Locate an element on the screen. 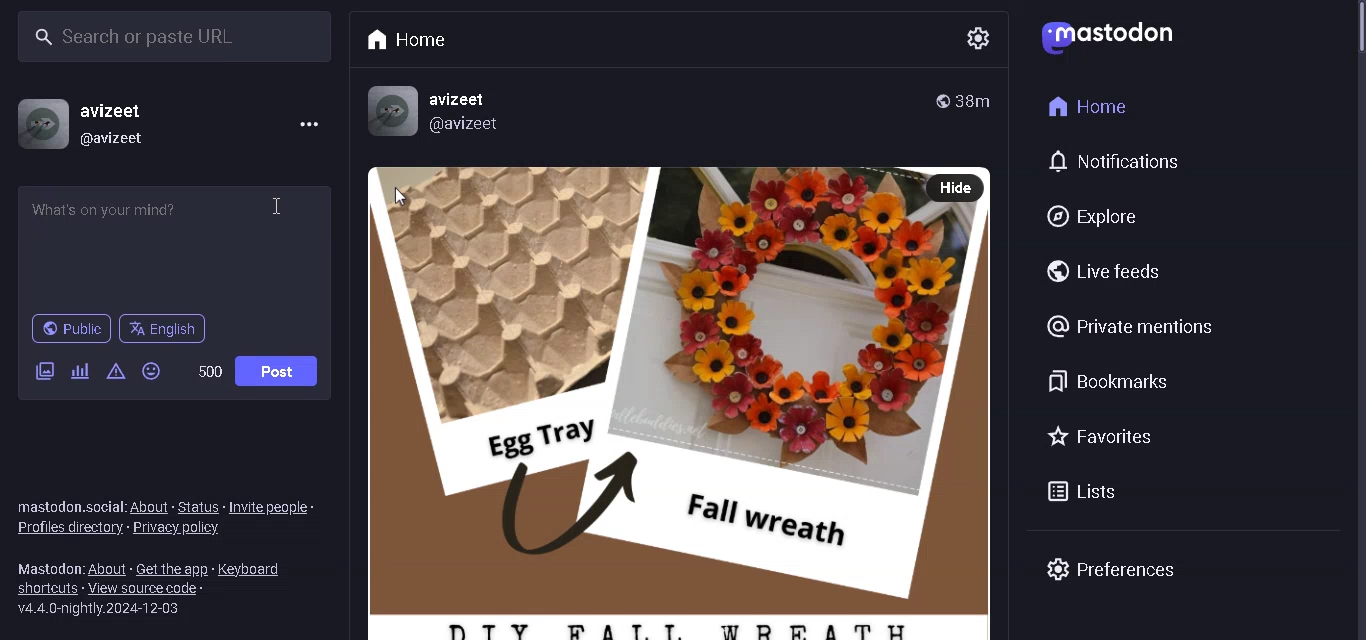 This screenshot has height=640, width=1366. post is located at coordinates (279, 369).